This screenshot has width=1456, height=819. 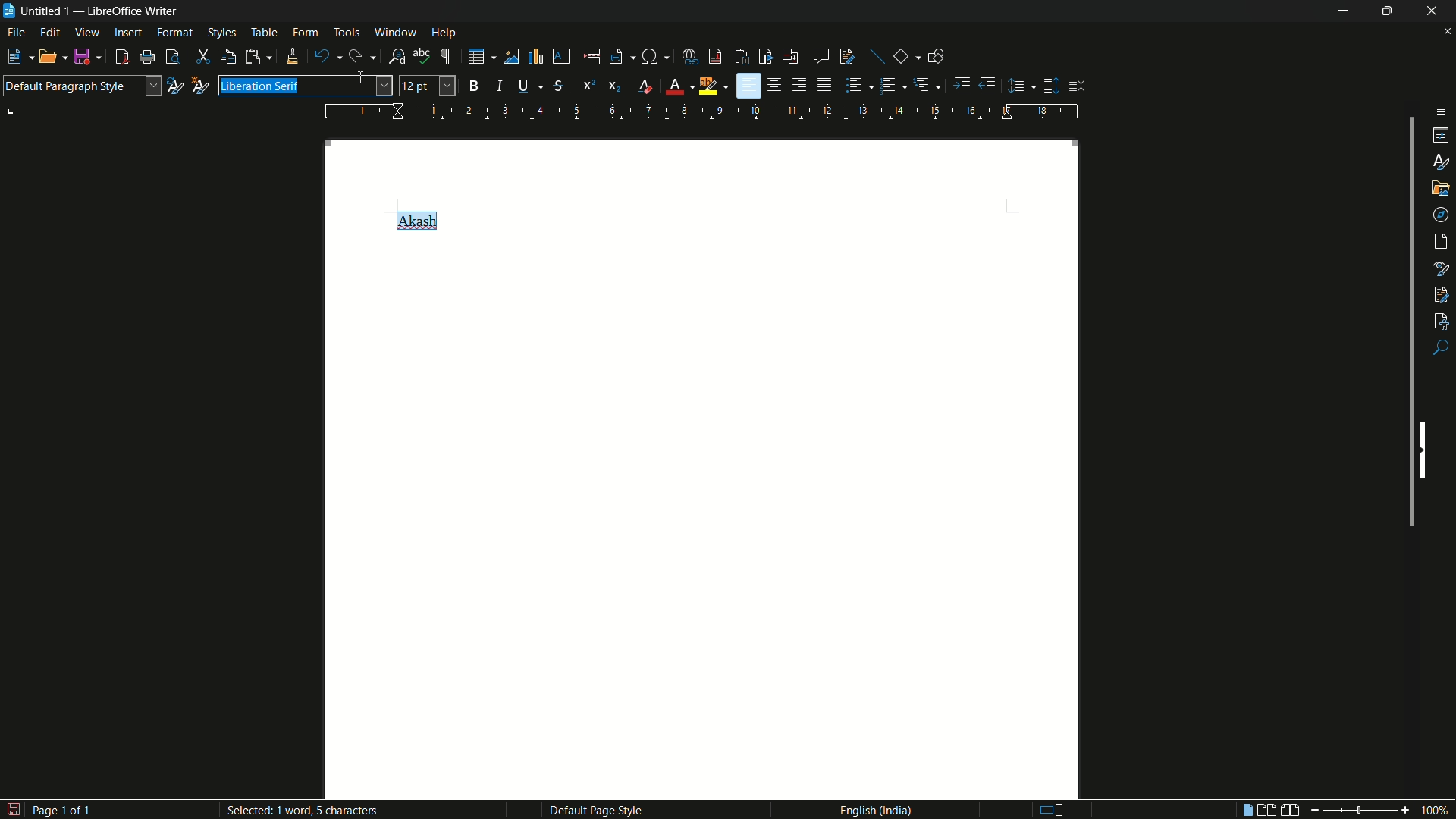 I want to click on insert line, so click(x=878, y=58).